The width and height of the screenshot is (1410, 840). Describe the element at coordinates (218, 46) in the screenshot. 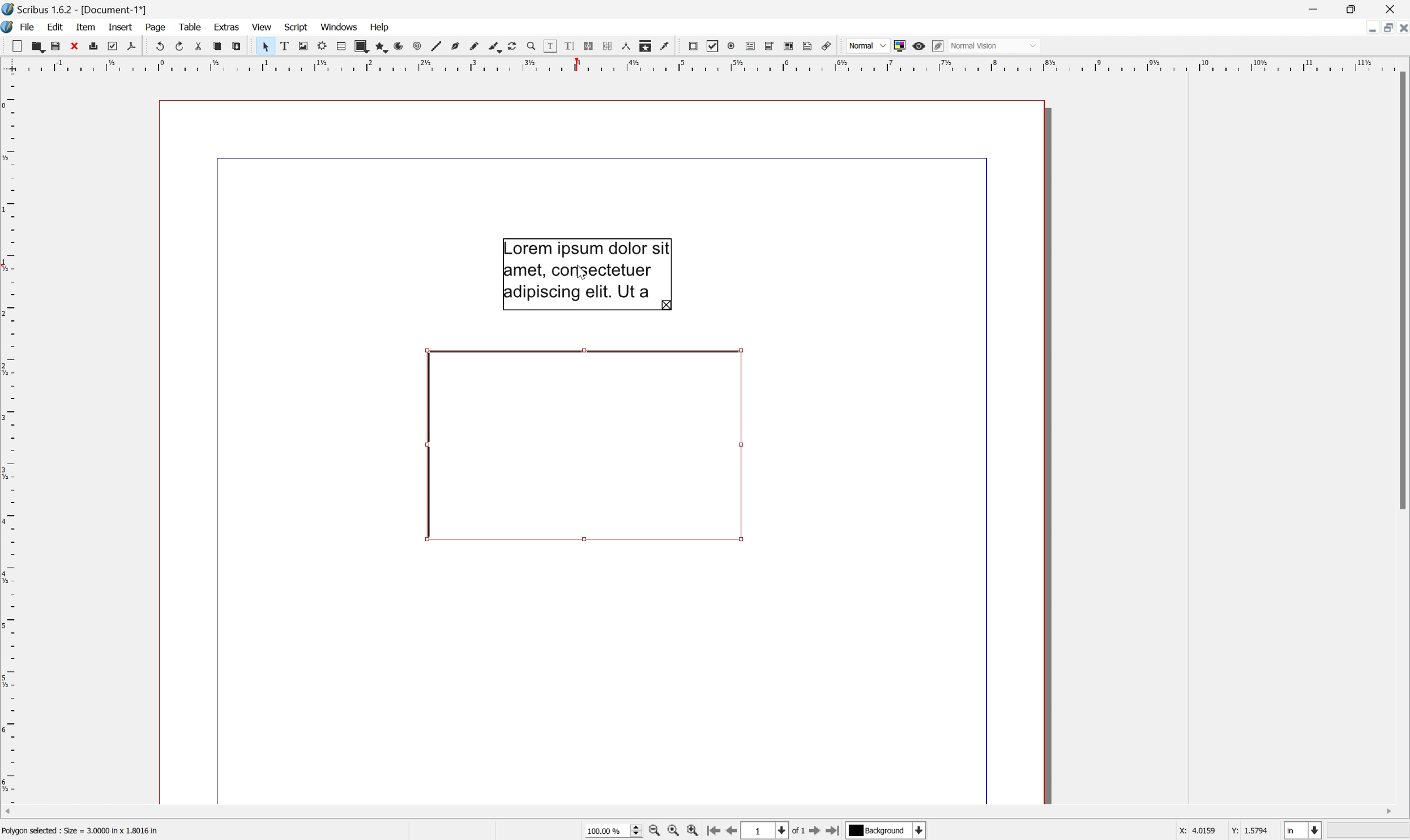

I see `Copy` at that location.